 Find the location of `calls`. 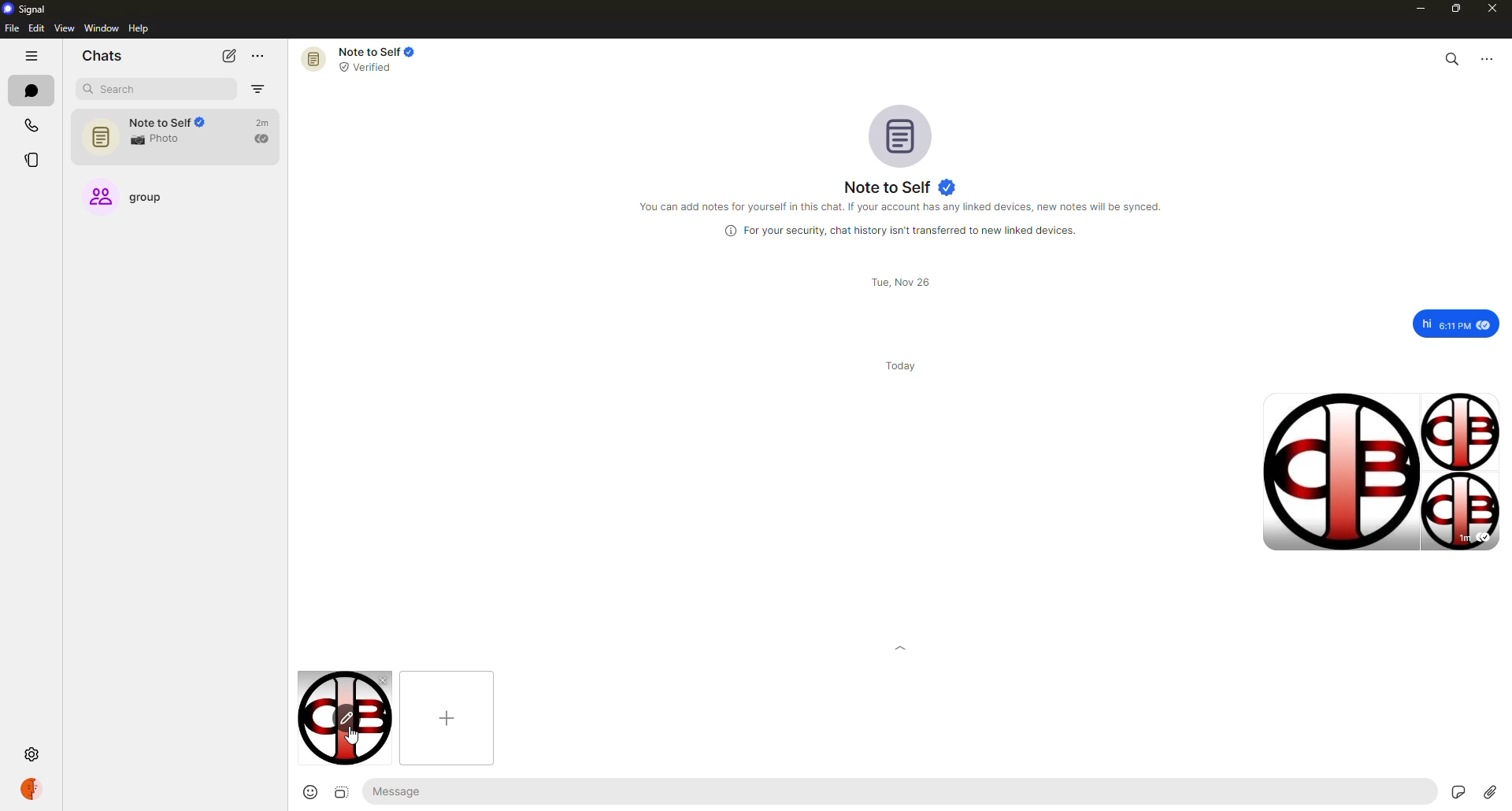

calls is located at coordinates (29, 126).